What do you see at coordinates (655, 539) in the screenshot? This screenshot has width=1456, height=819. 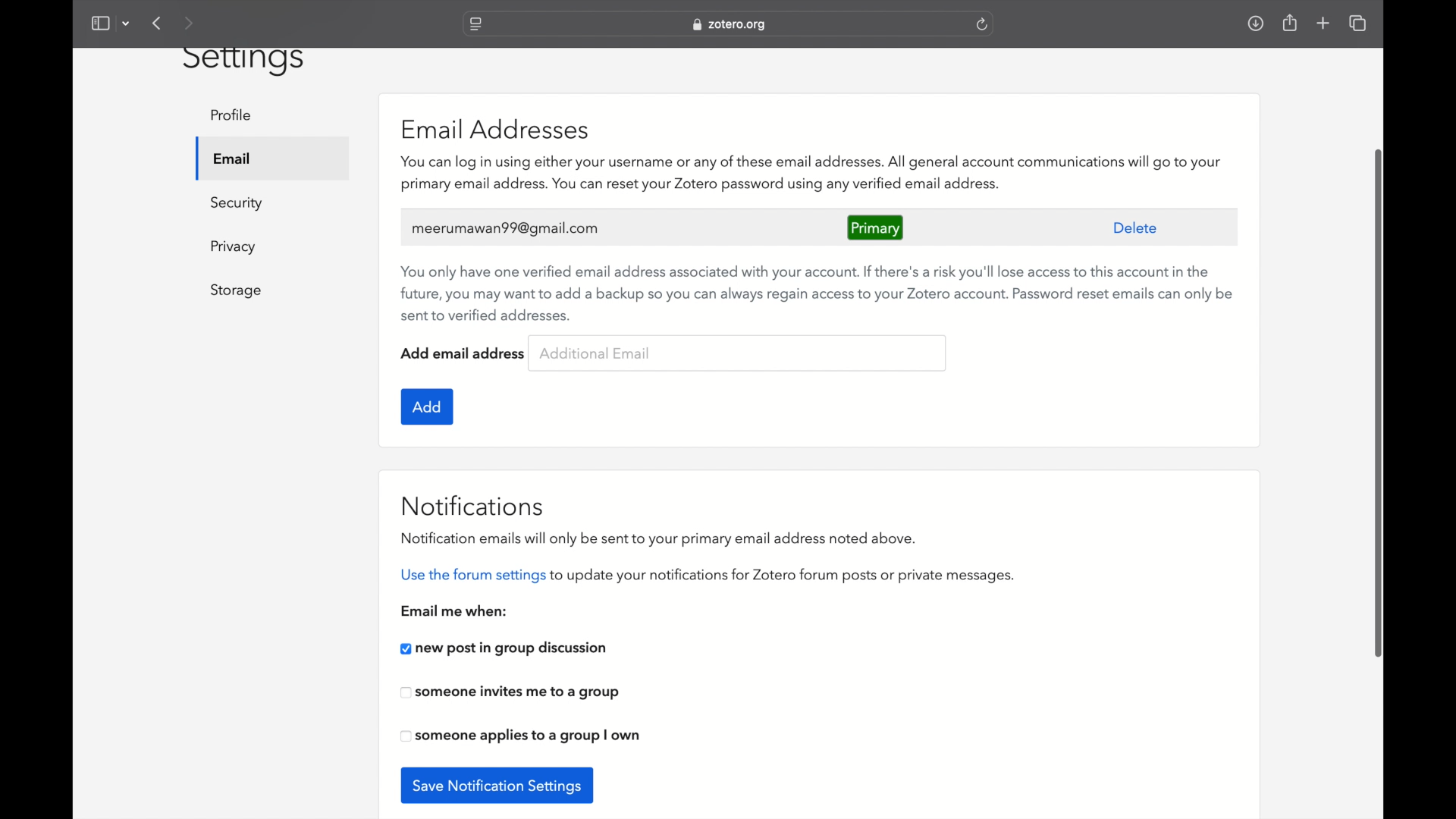 I see `notification emails will only be sent to your primary email address noted above` at bounding box center [655, 539].